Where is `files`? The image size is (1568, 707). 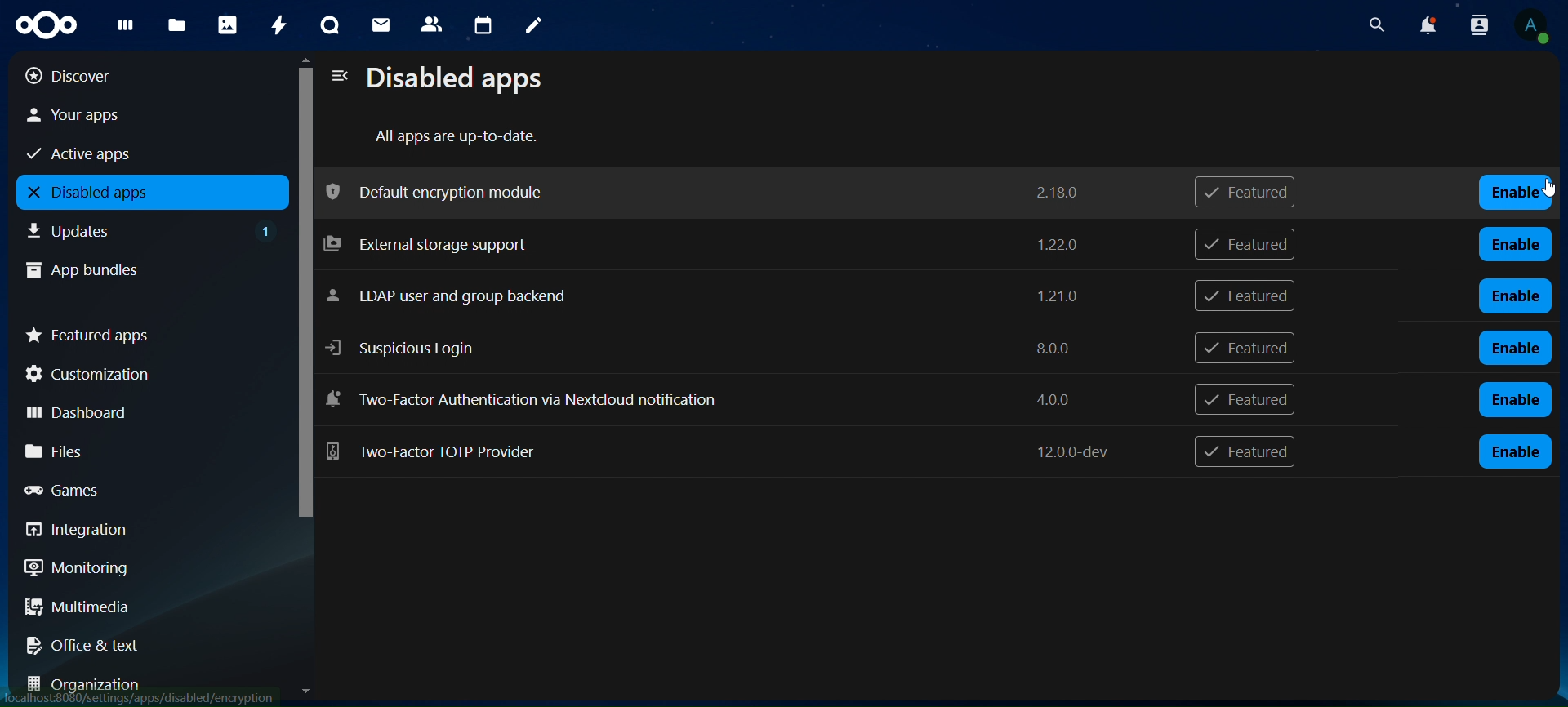 files is located at coordinates (176, 26).